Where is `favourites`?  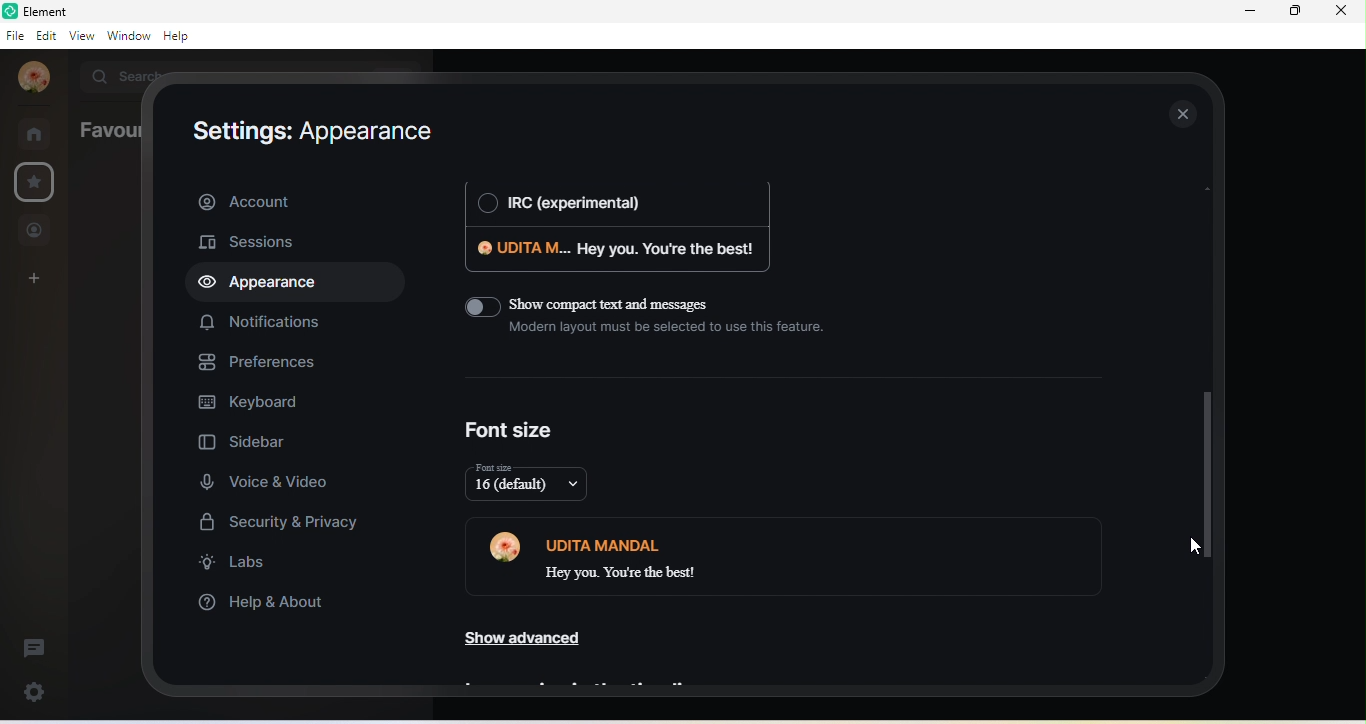 favourites is located at coordinates (37, 185).